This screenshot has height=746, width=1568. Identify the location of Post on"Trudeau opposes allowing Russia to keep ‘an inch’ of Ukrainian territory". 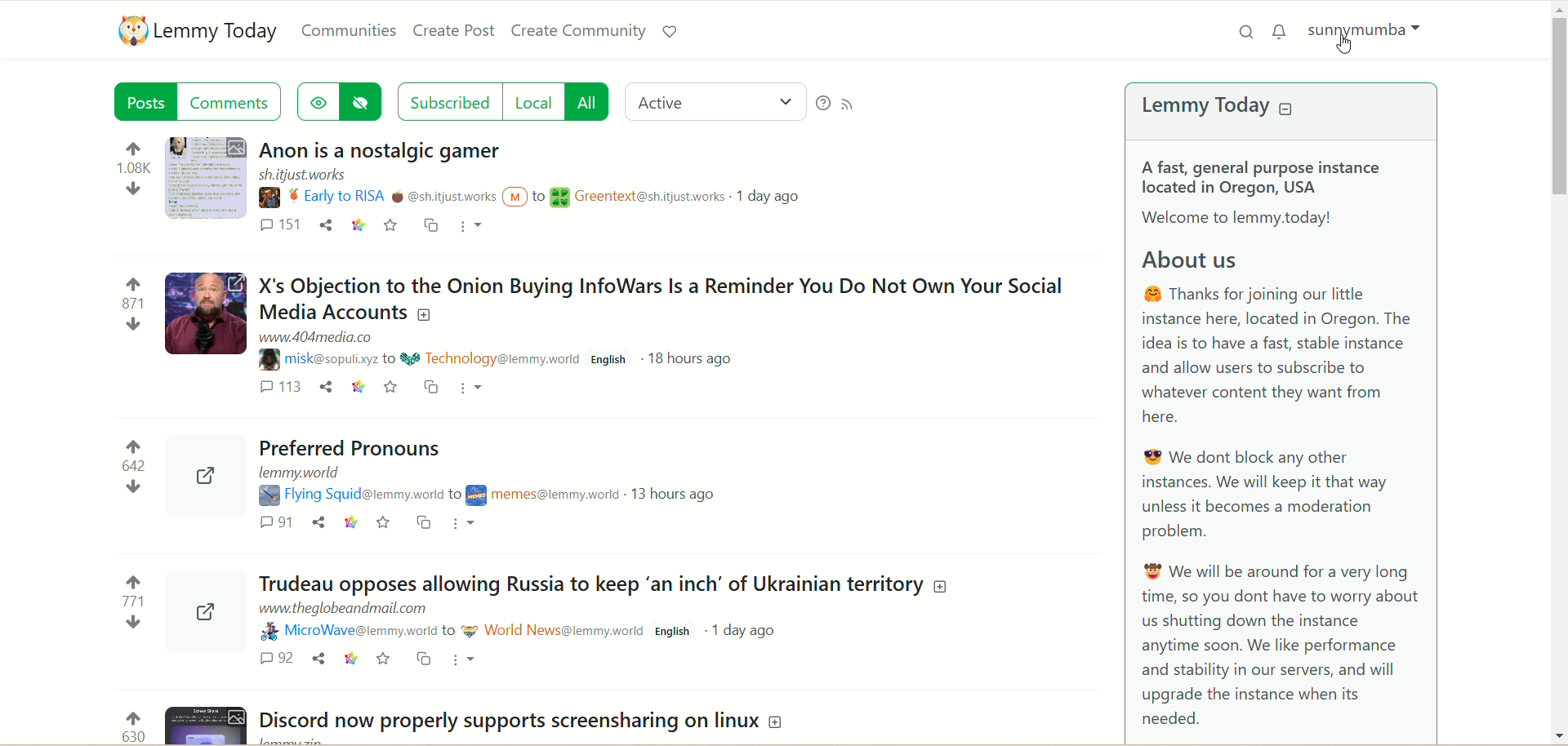
(597, 584).